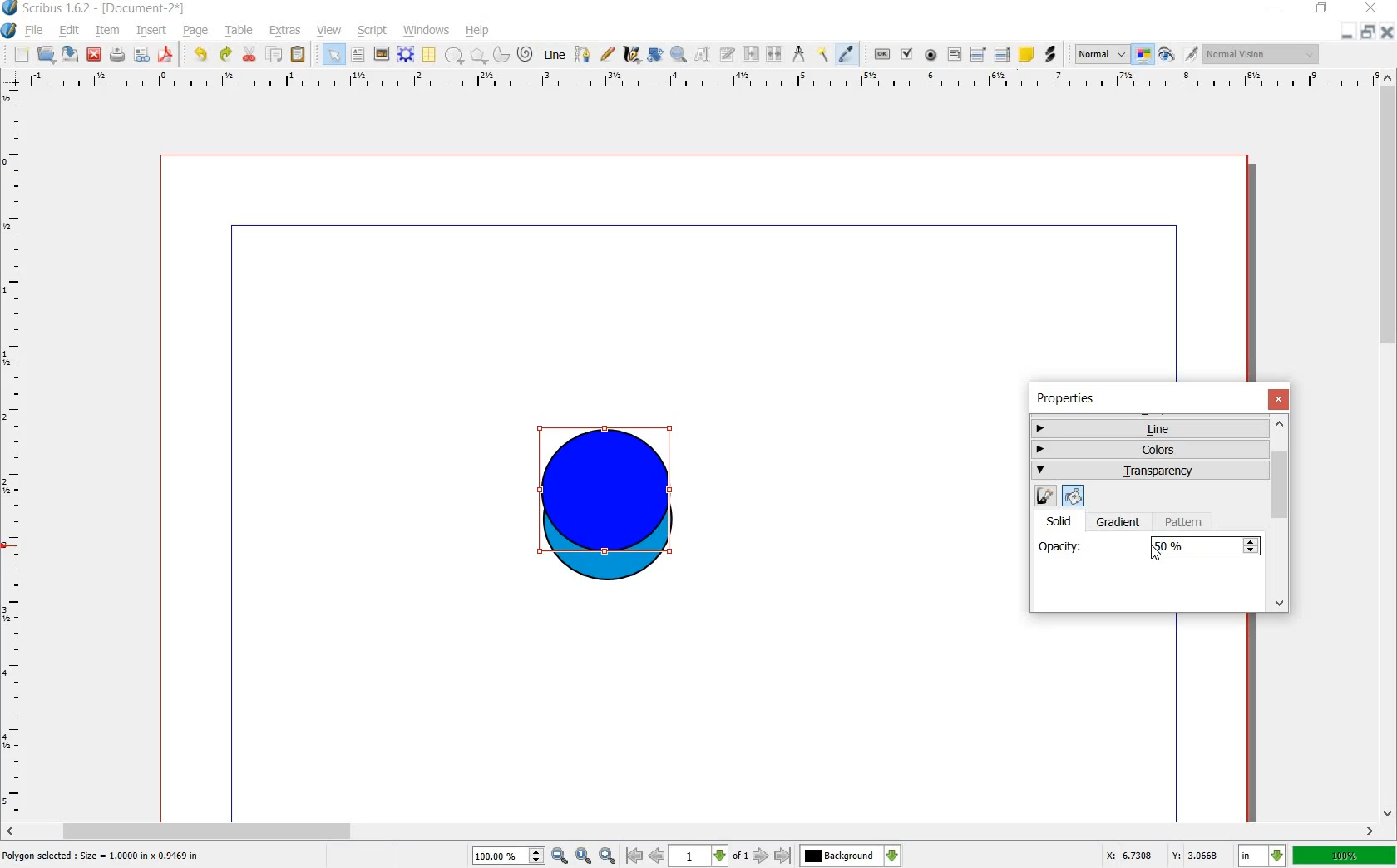 Image resolution: width=1397 pixels, height=868 pixels. Describe the element at coordinates (977, 54) in the screenshot. I see `pdf combo box` at that location.